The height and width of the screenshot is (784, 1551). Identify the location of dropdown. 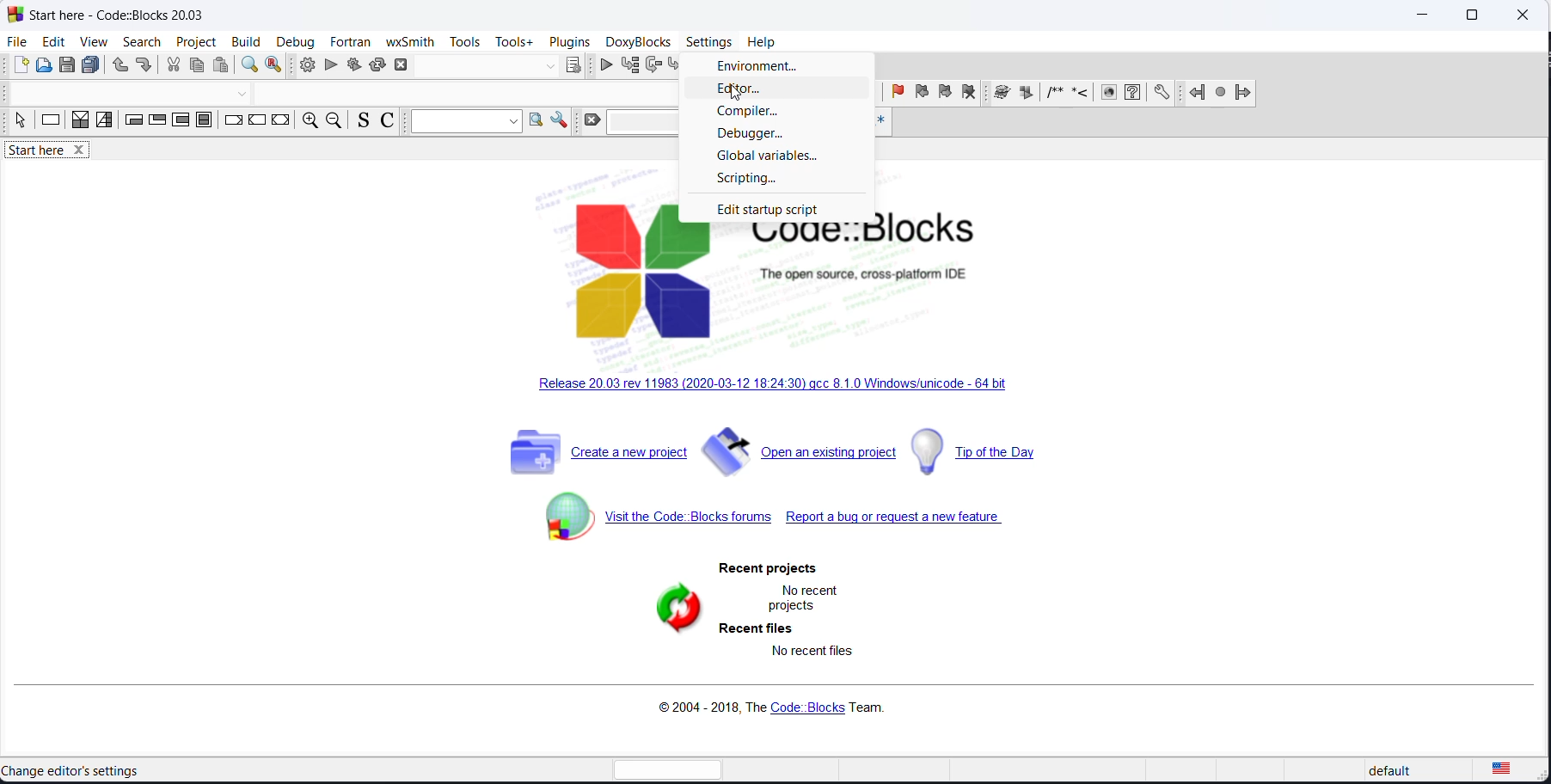
(468, 121).